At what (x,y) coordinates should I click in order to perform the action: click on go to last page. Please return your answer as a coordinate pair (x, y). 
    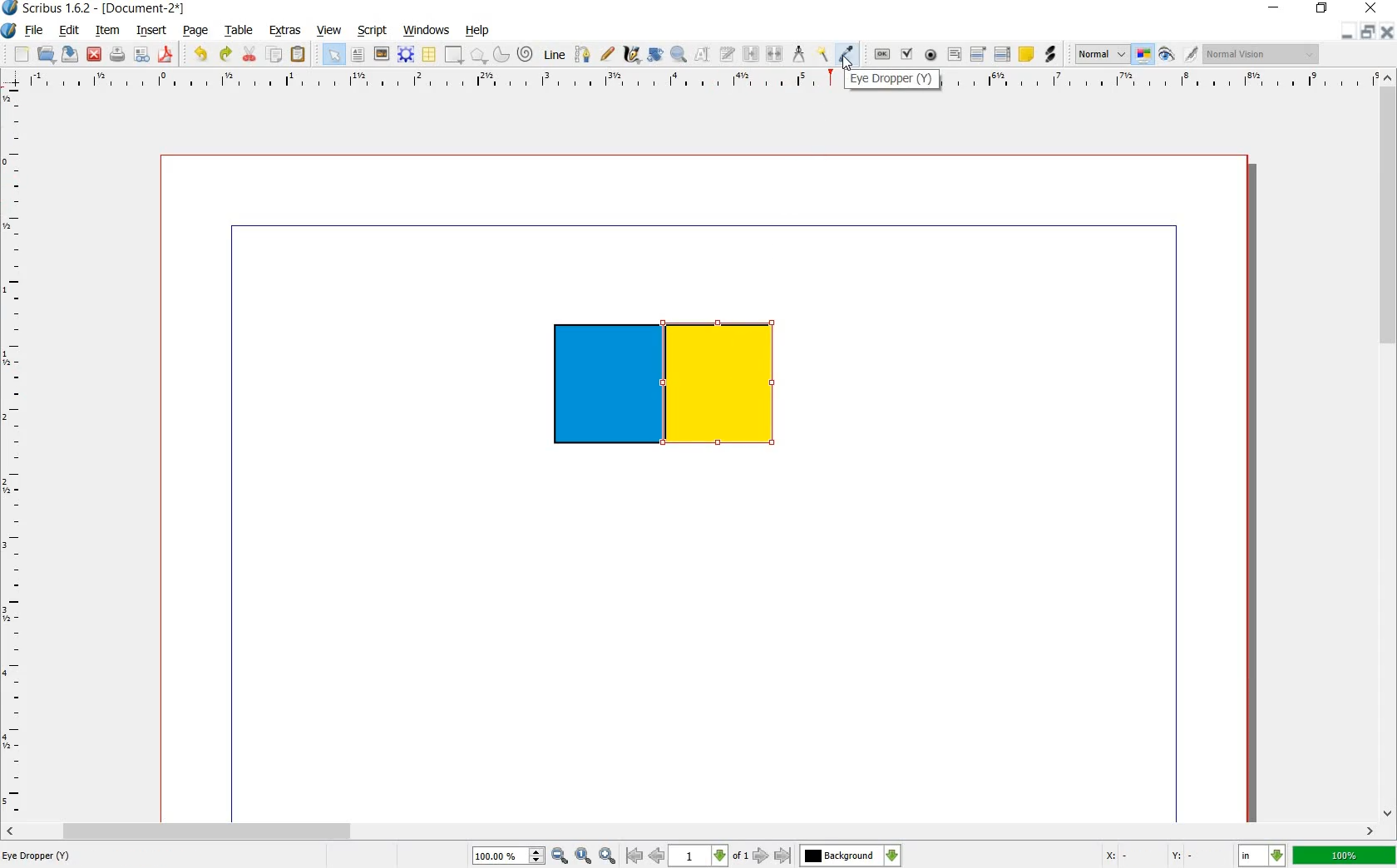
    Looking at the image, I should click on (784, 856).